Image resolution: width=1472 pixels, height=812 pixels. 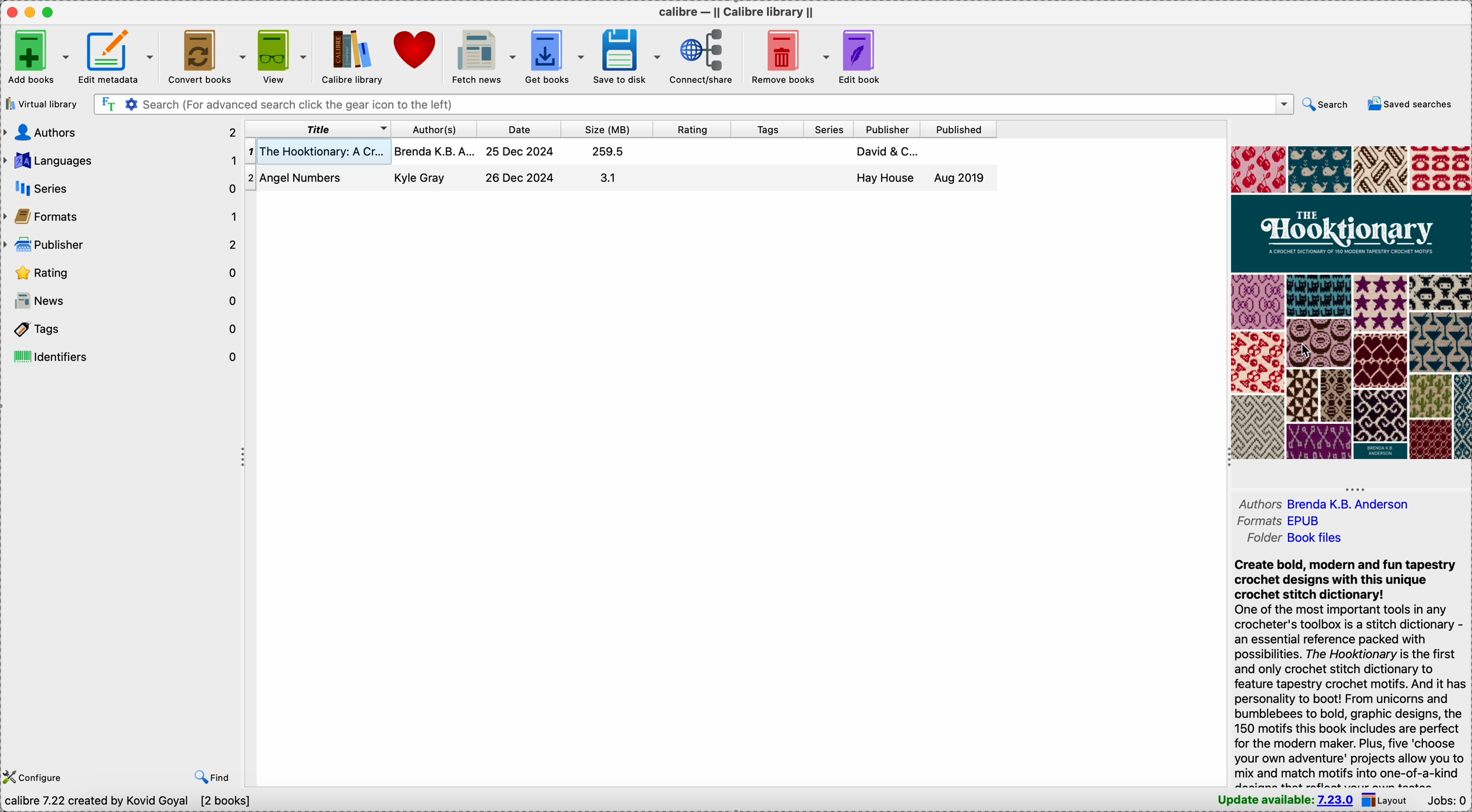 What do you see at coordinates (484, 54) in the screenshot?
I see `fetch news` at bounding box center [484, 54].